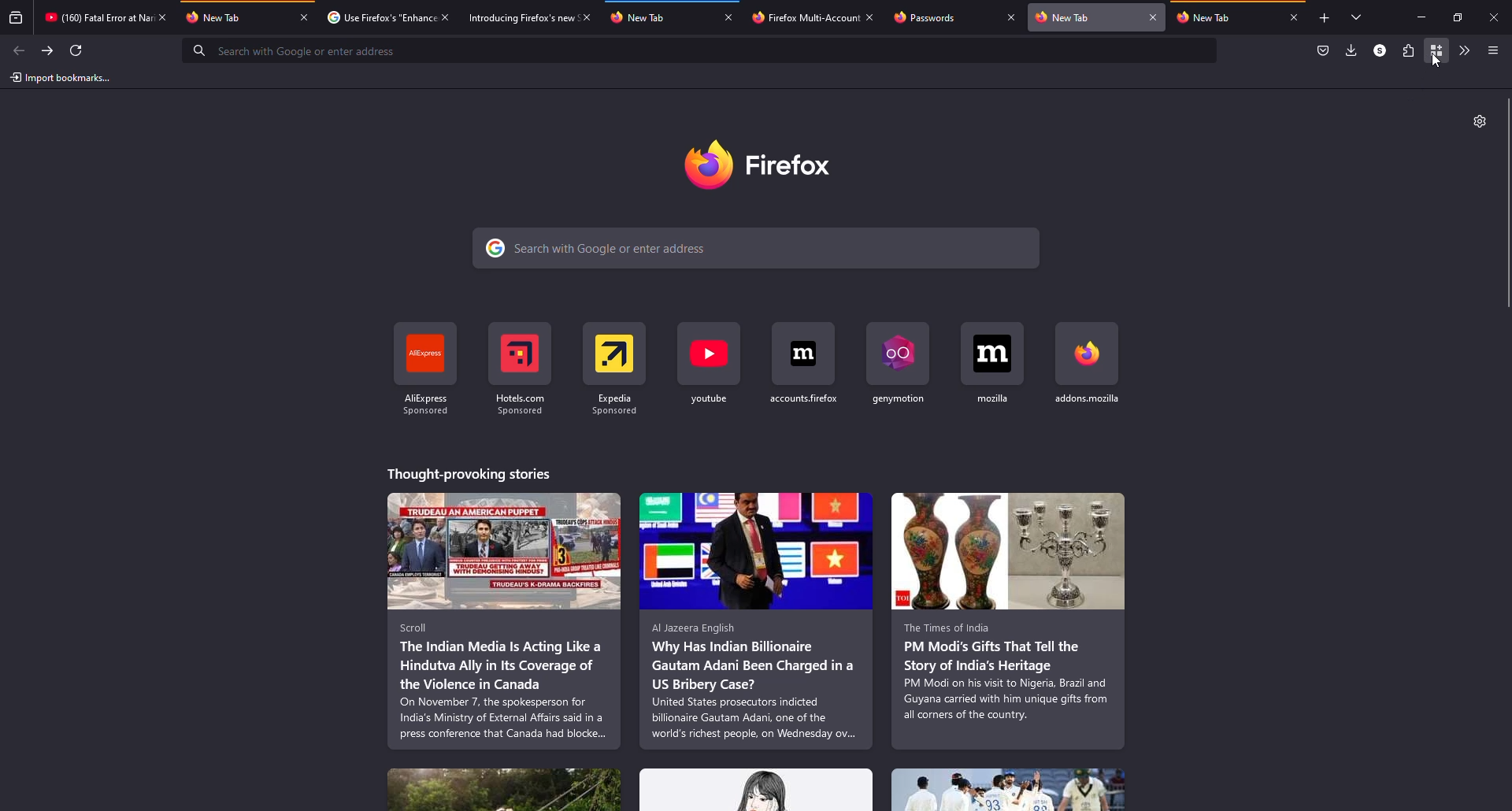 The height and width of the screenshot is (811, 1512). Describe the element at coordinates (1010, 789) in the screenshot. I see `stories` at that location.